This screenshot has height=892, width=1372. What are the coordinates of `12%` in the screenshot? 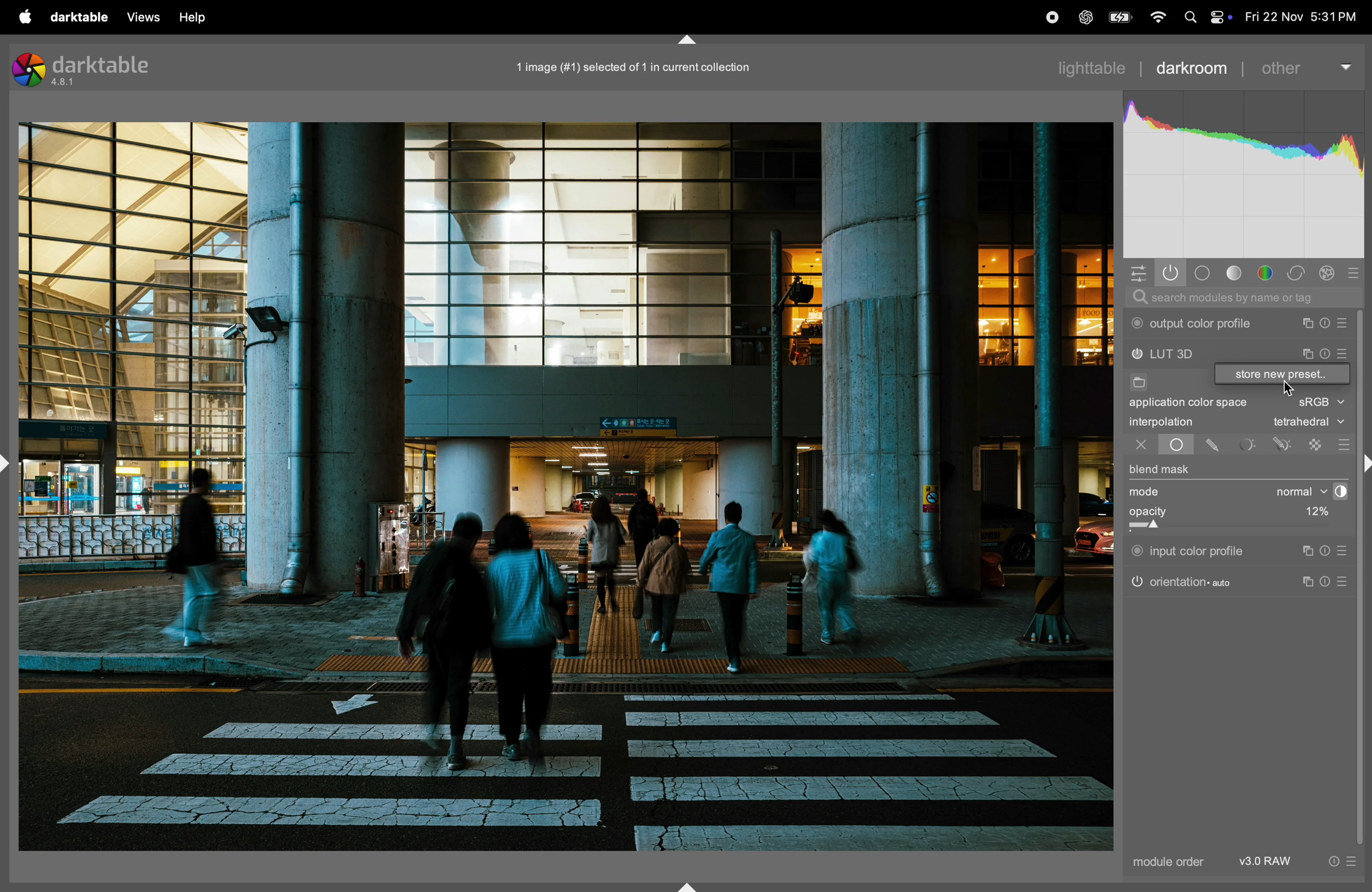 It's located at (1314, 513).